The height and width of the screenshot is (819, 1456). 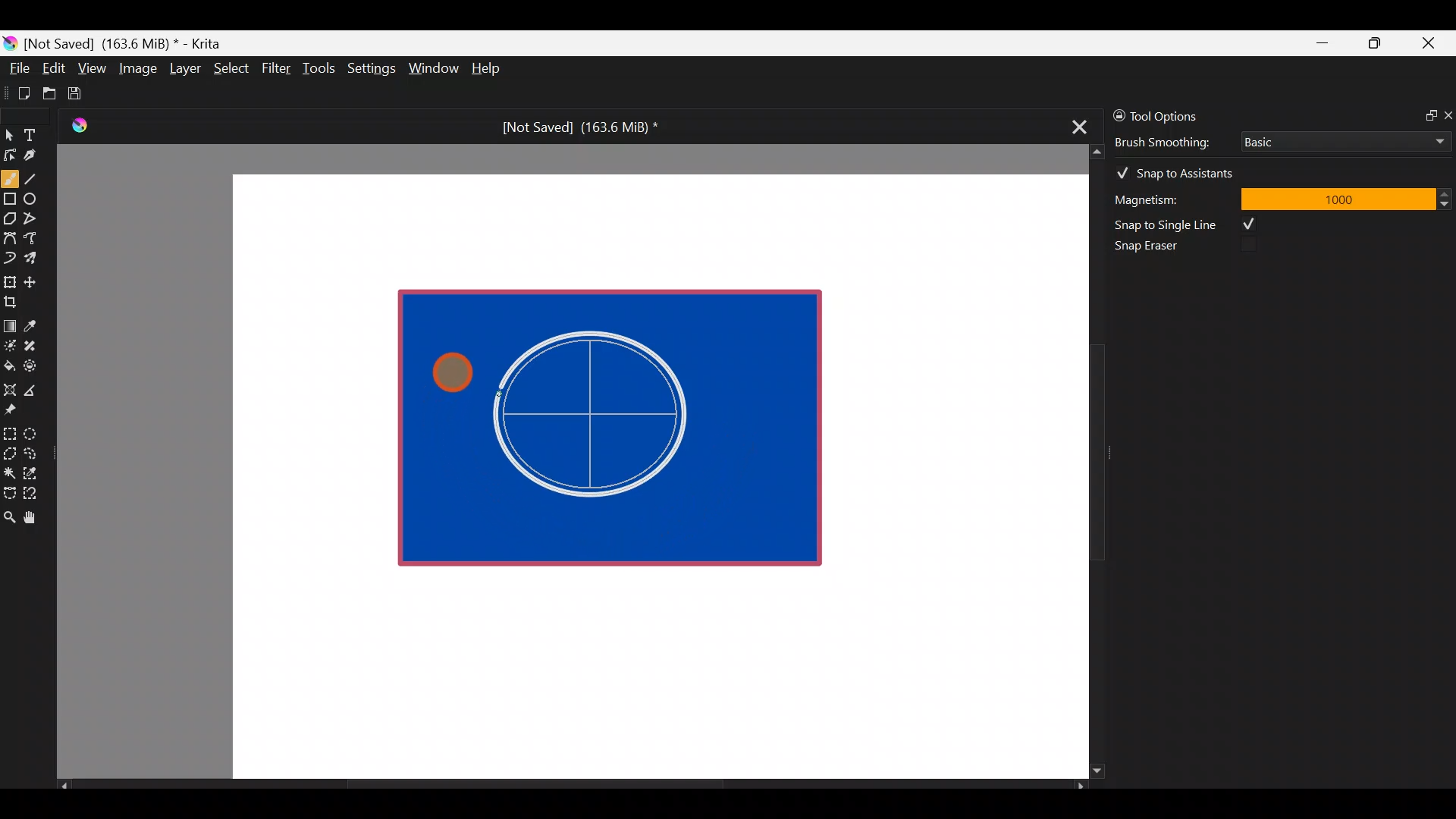 I want to click on Open an existing document, so click(x=50, y=96).